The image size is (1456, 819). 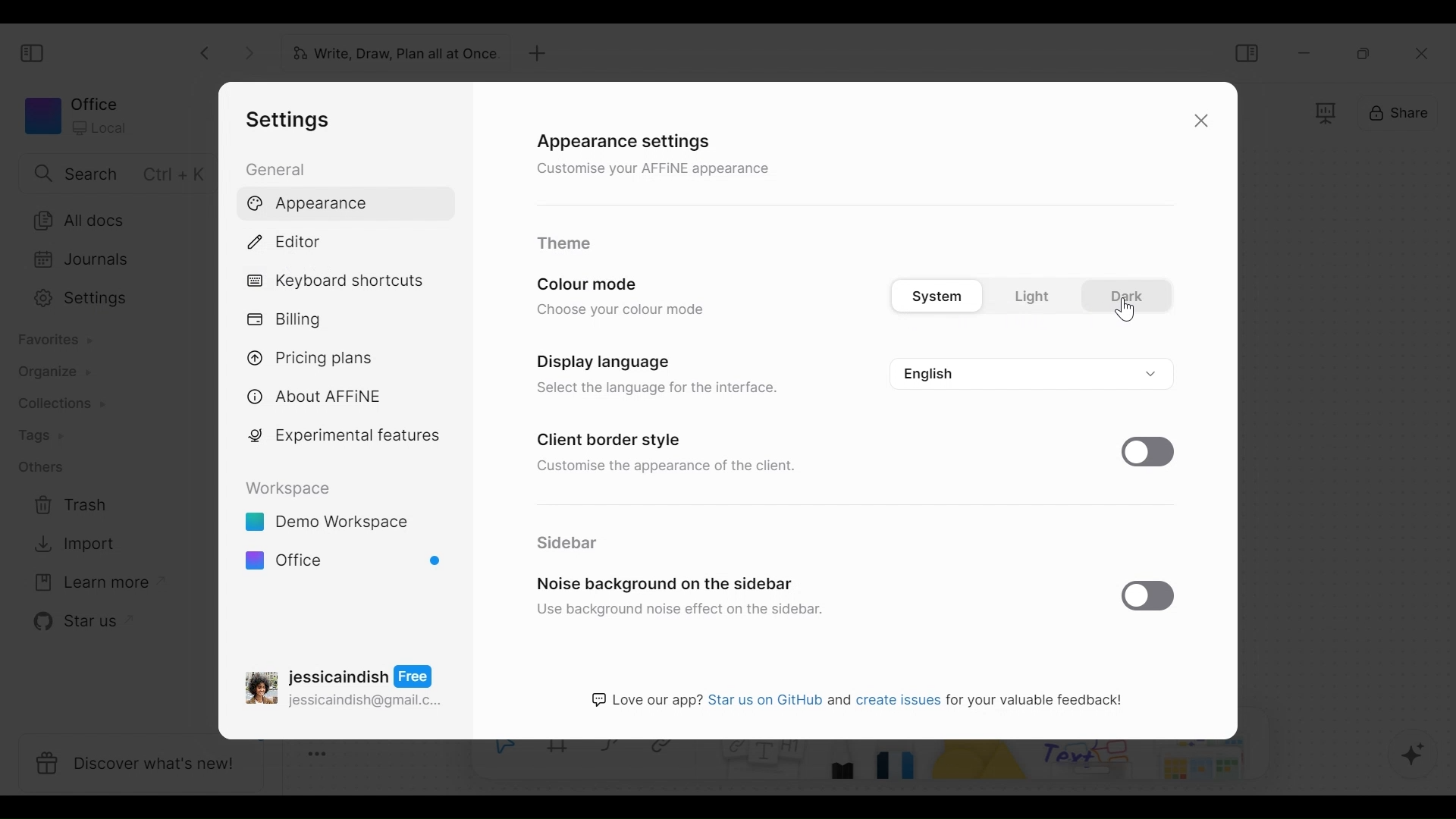 I want to click on Select, so click(x=501, y=748).